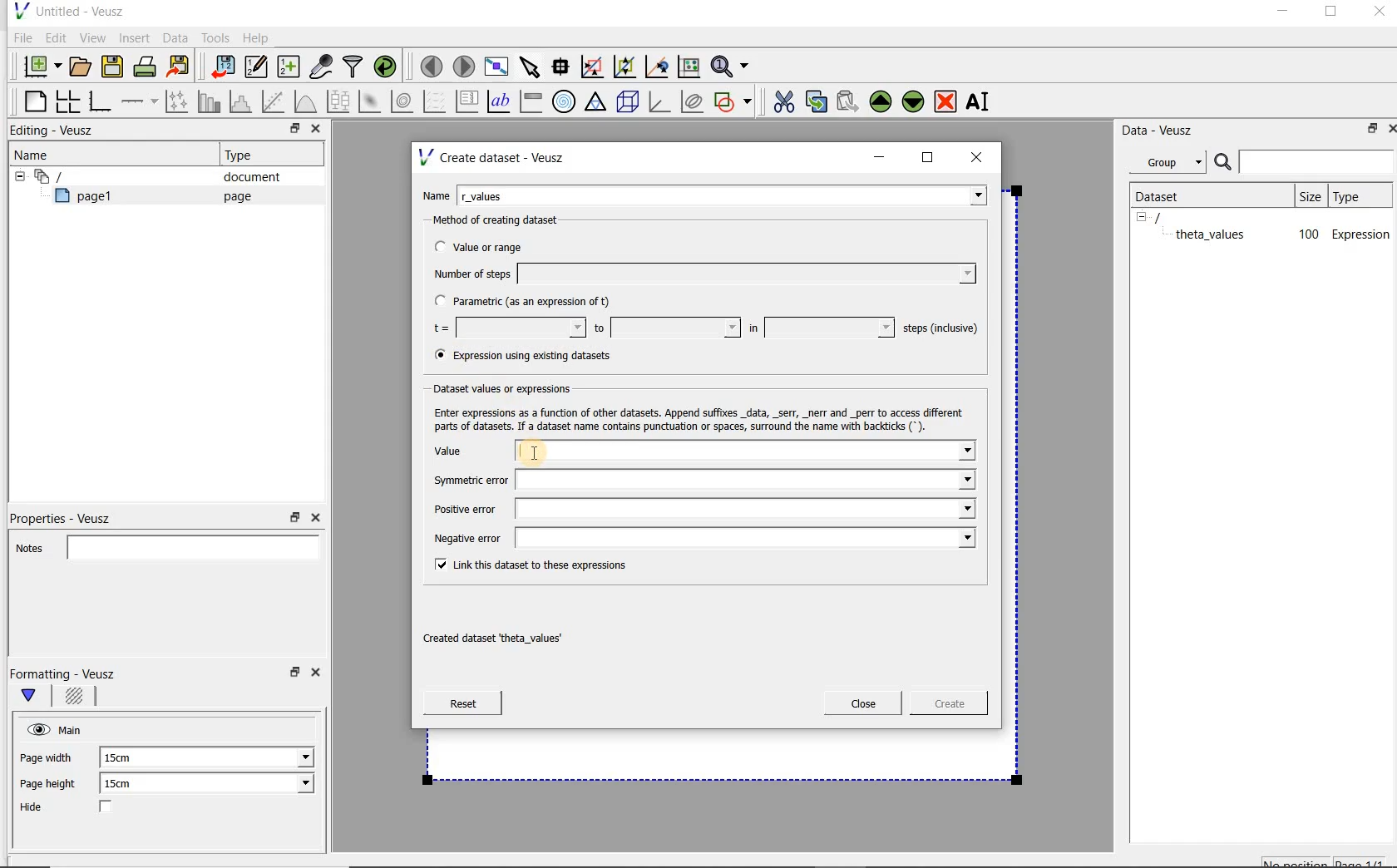 Image resolution: width=1397 pixels, height=868 pixels. I want to click on image color bar, so click(531, 101).